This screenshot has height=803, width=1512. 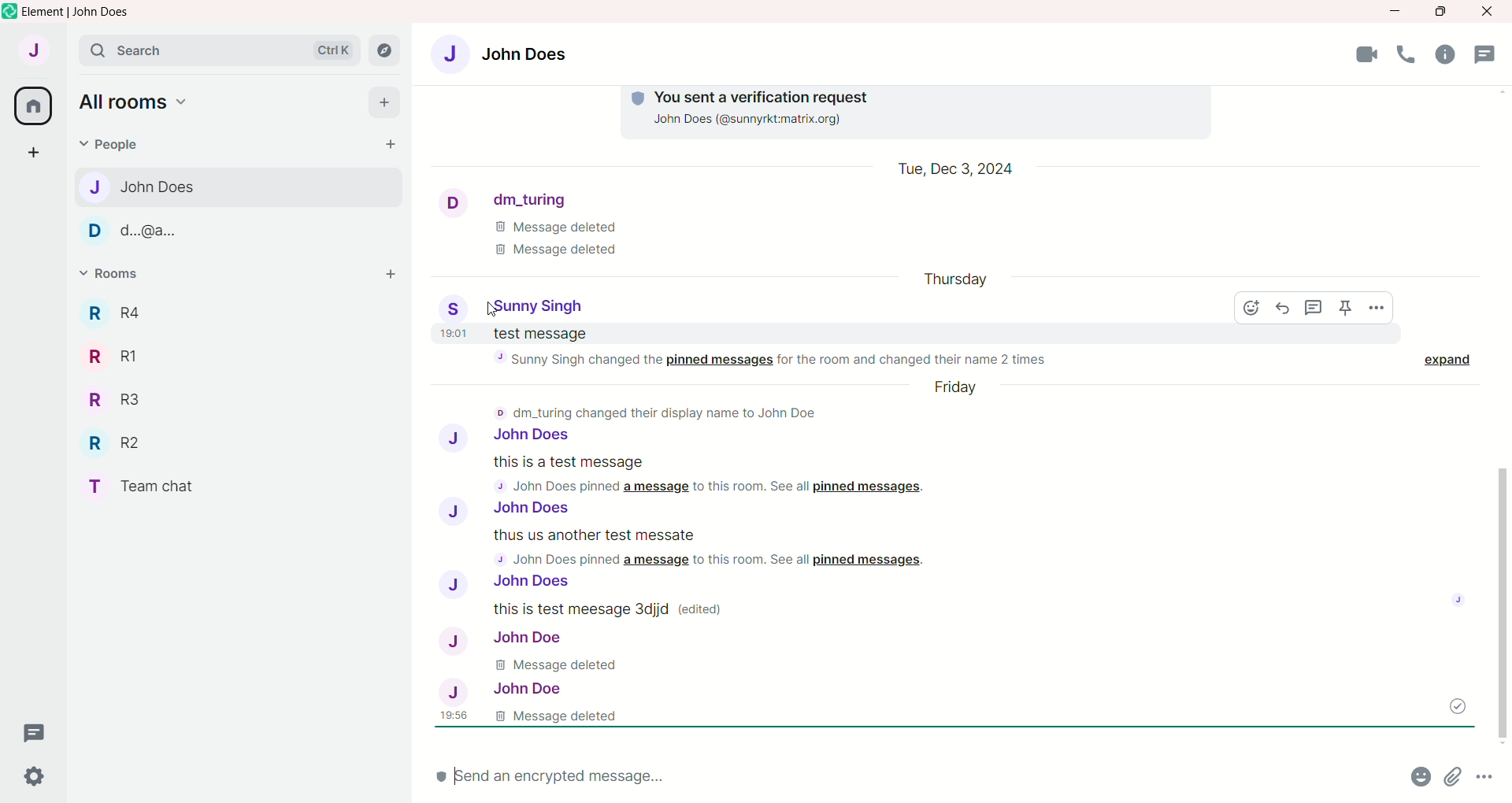 What do you see at coordinates (36, 154) in the screenshot?
I see `create a space` at bounding box center [36, 154].